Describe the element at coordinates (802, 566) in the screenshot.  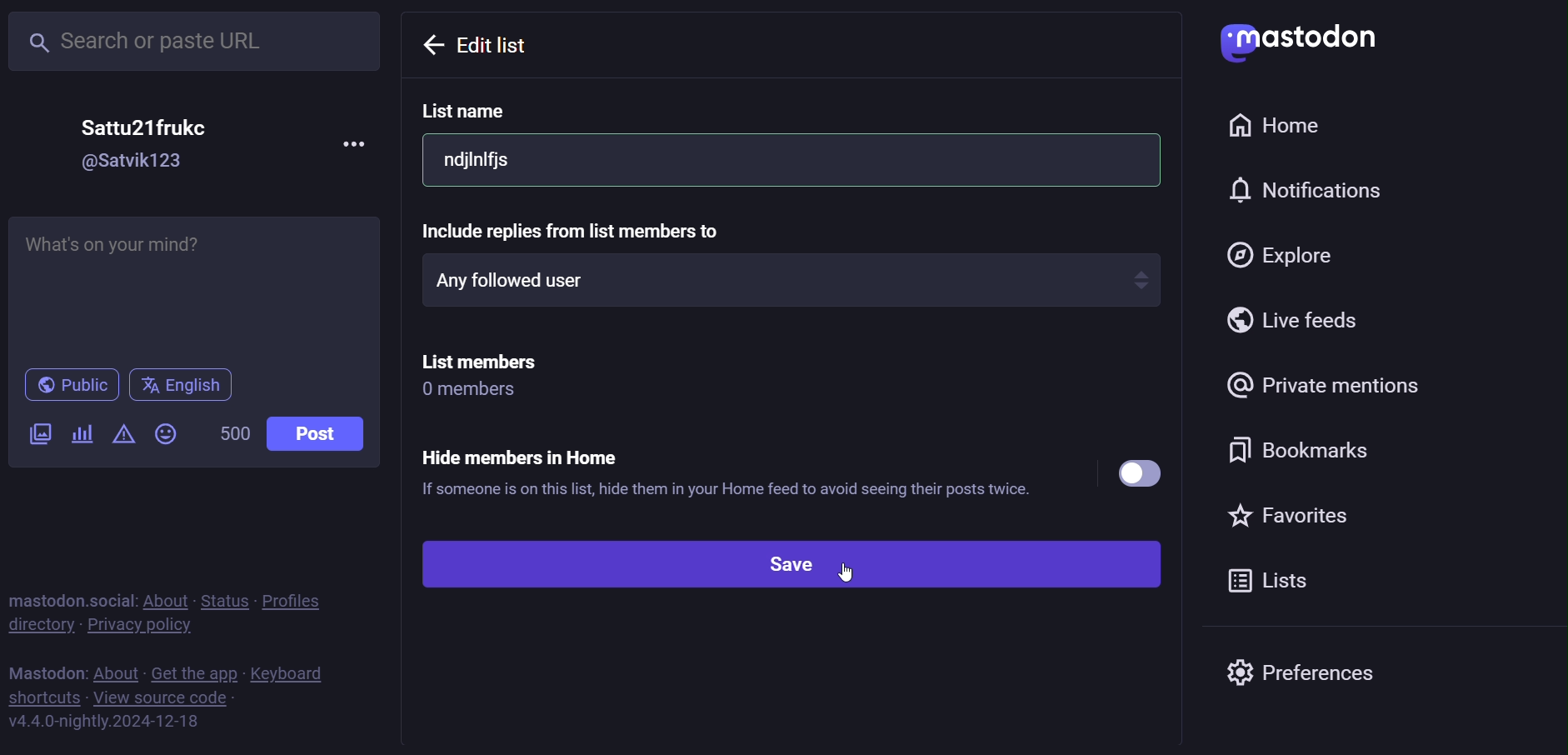
I see `save` at that location.